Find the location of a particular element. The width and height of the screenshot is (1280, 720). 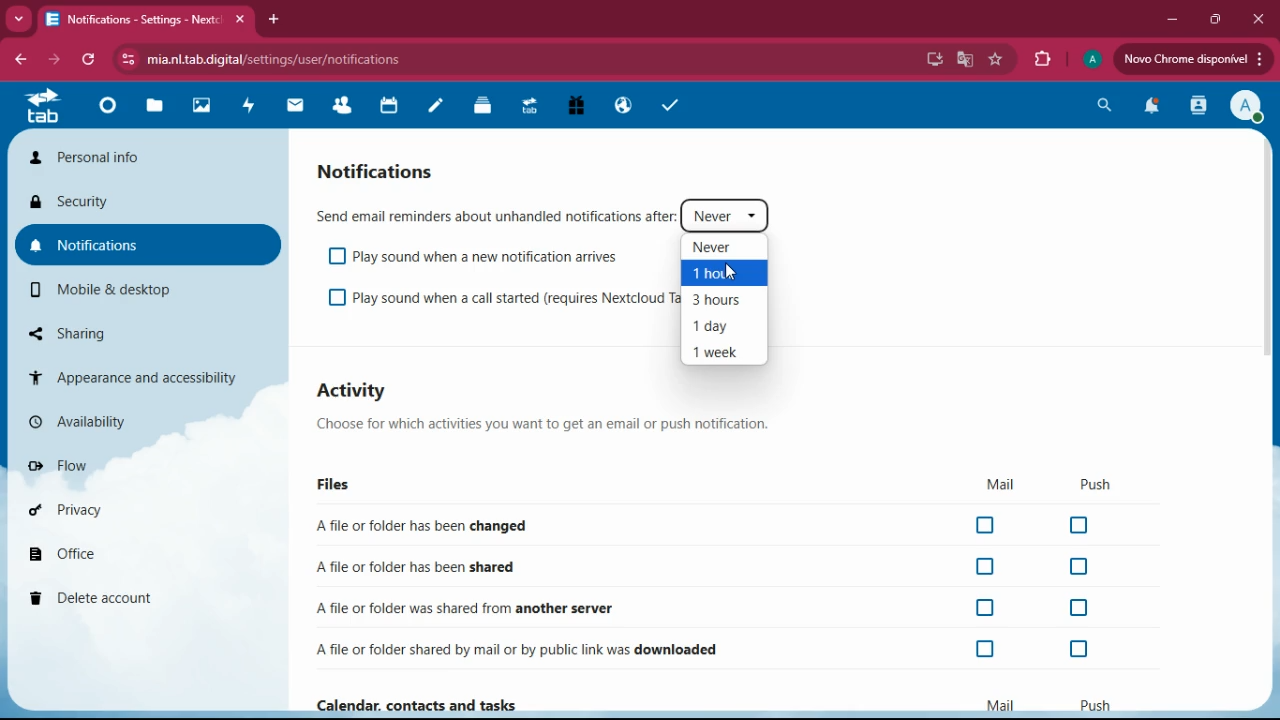

gift is located at coordinates (577, 106).